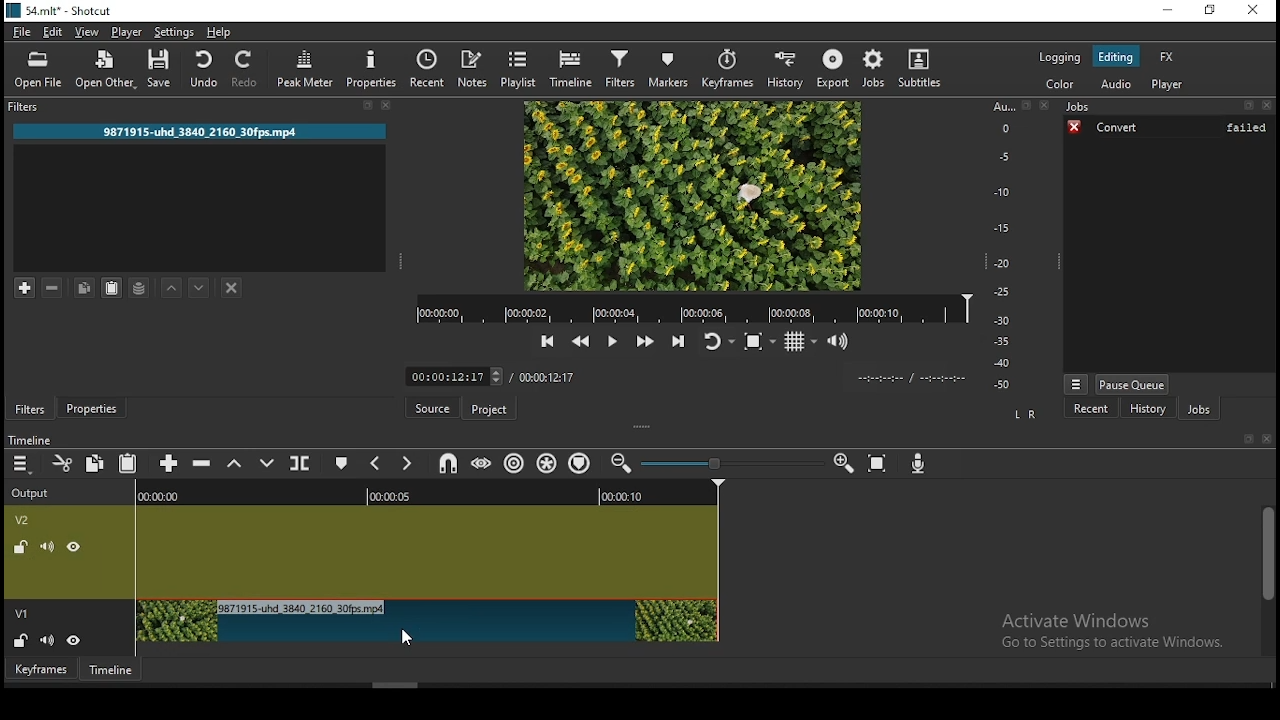 This screenshot has width=1280, height=720. What do you see at coordinates (730, 68) in the screenshot?
I see `keyframes` at bounding box center [730, 68].